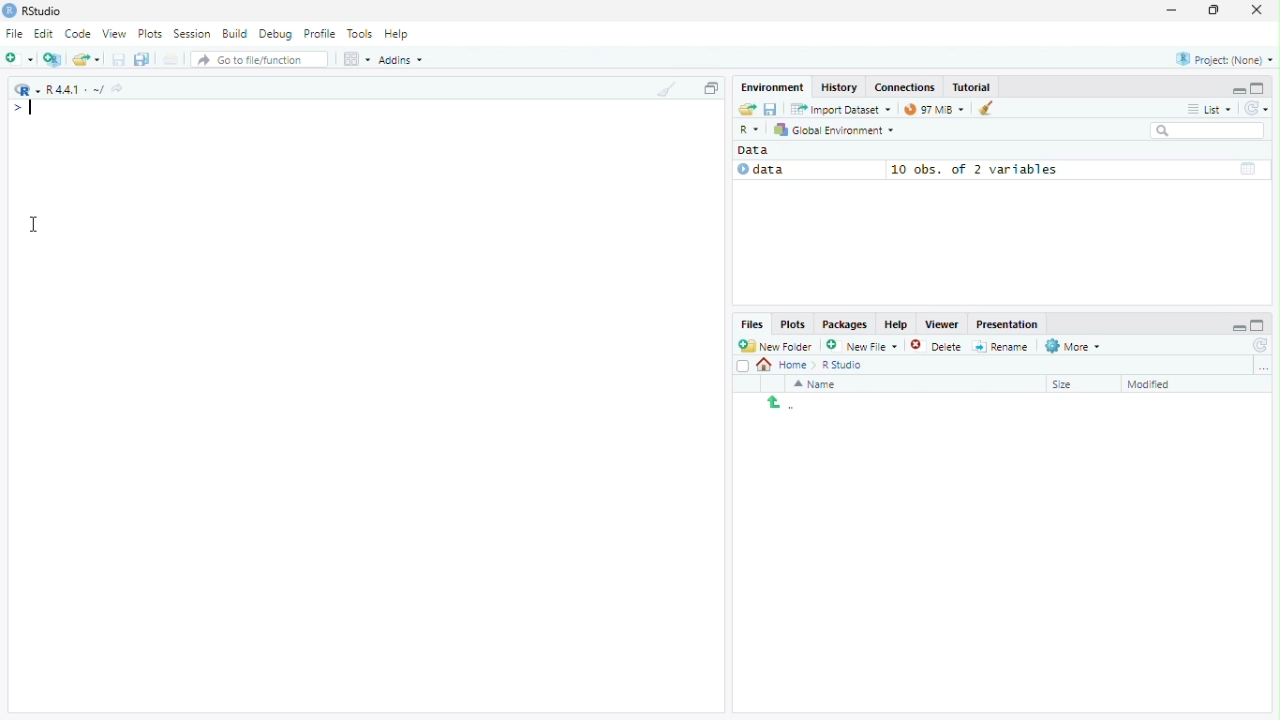 The image size is (1280, 720). I want to click on RStudio, so click(44, 9).